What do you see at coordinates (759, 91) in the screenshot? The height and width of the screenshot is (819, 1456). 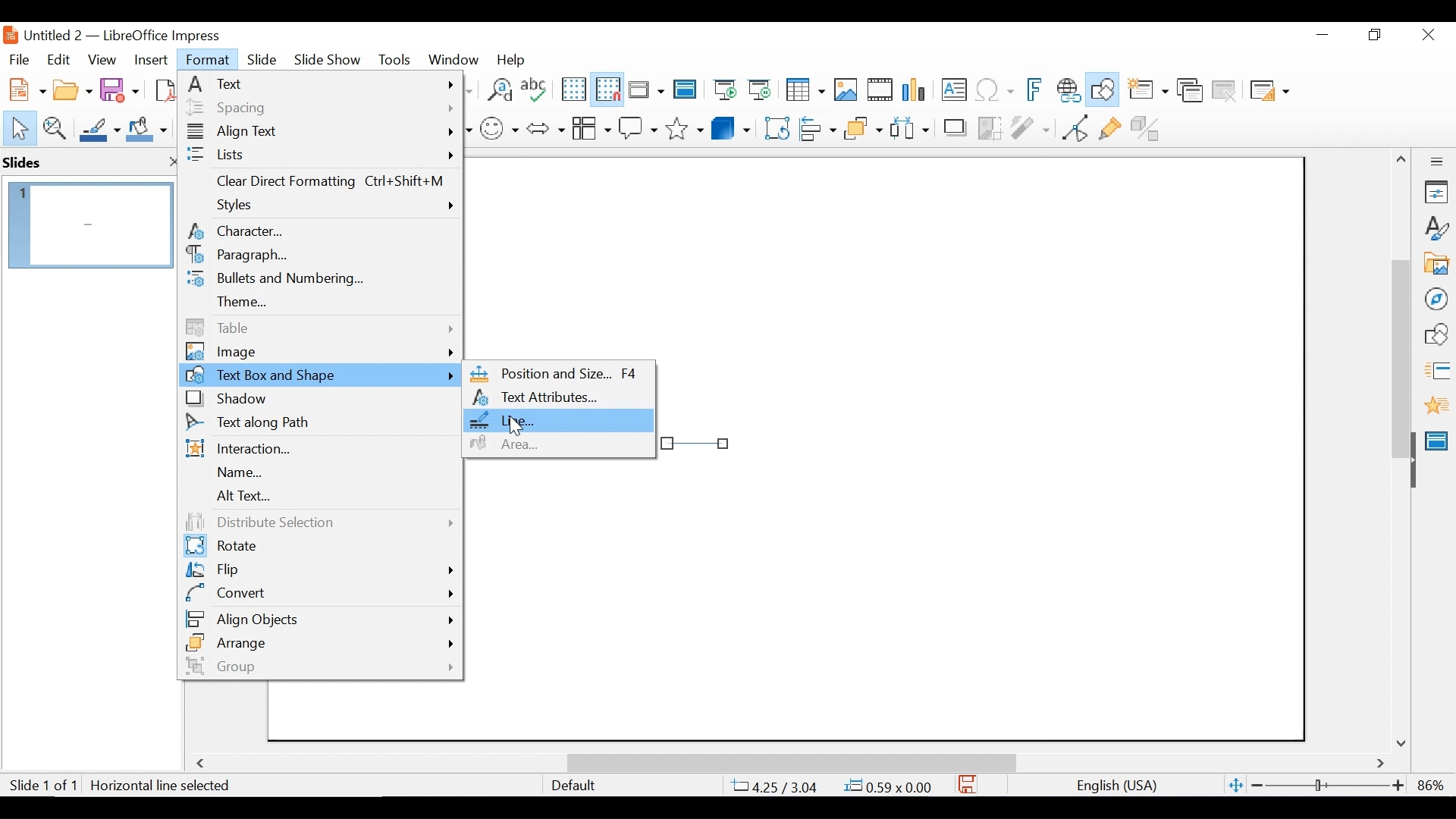 I see `Start from Current Slide` at bounding box center [759, 91].